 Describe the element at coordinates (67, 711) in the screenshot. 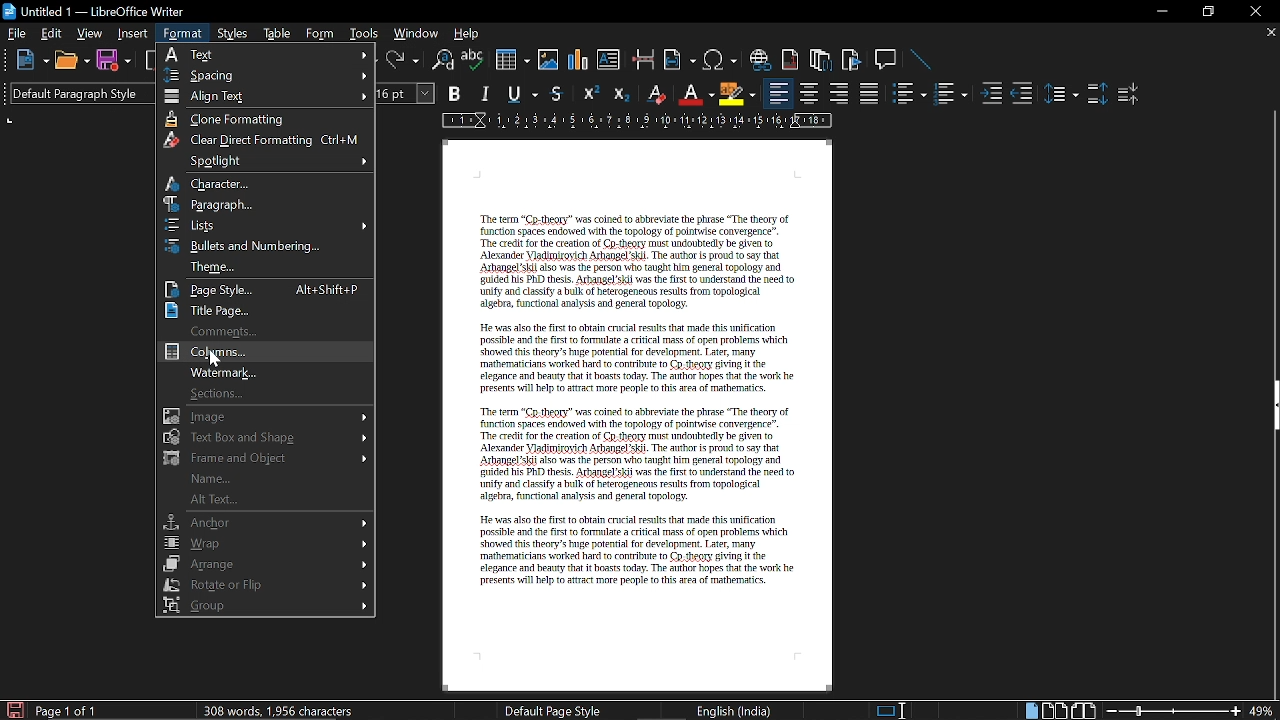

I see `current page (Page 1 of 1)` at that location.